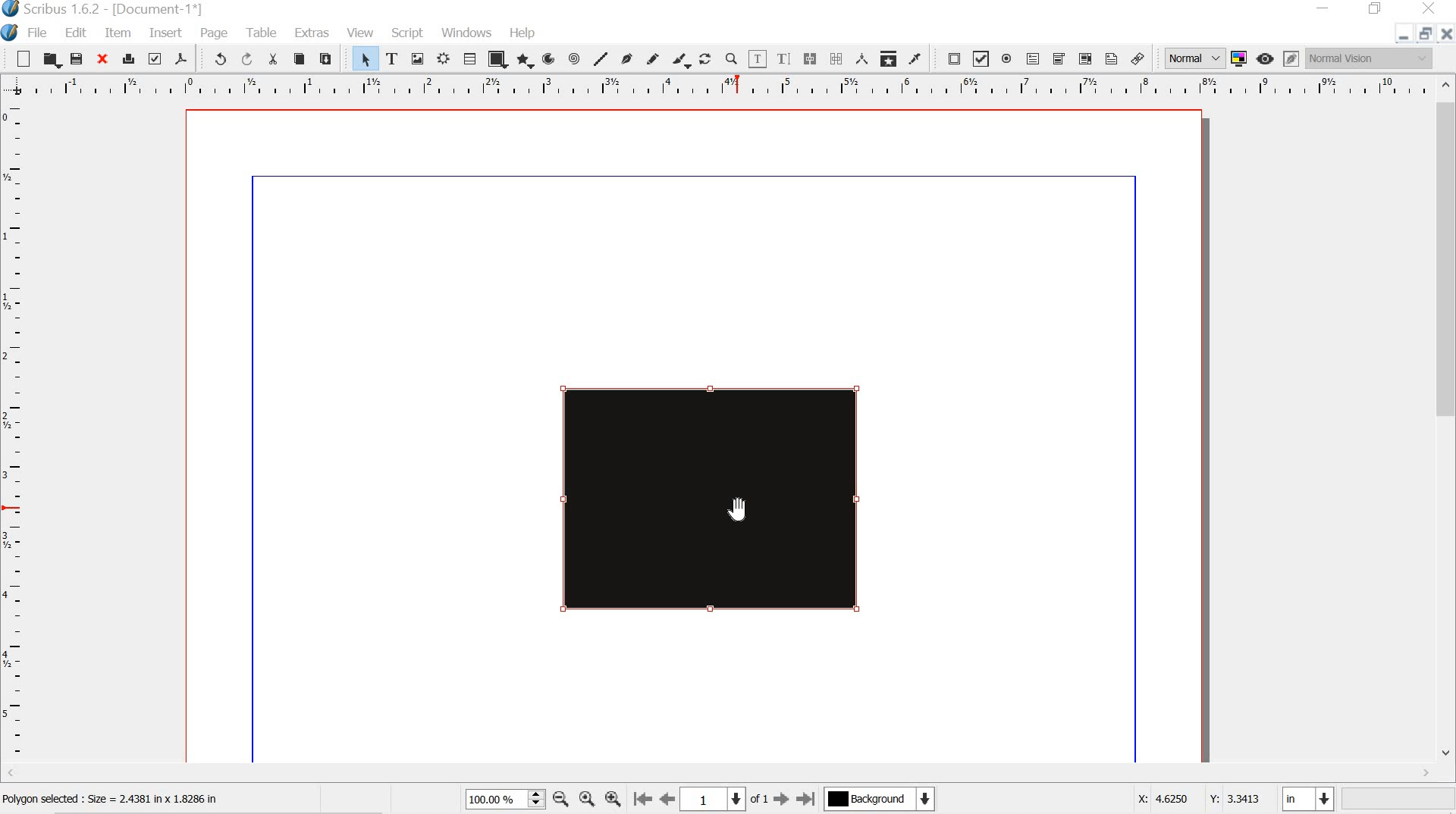 Image resolution: width=1456 pixels, height=814 pixels. Describe the element at coordinates (1401, 36) in the screenshot. I see `minimize` at that location.